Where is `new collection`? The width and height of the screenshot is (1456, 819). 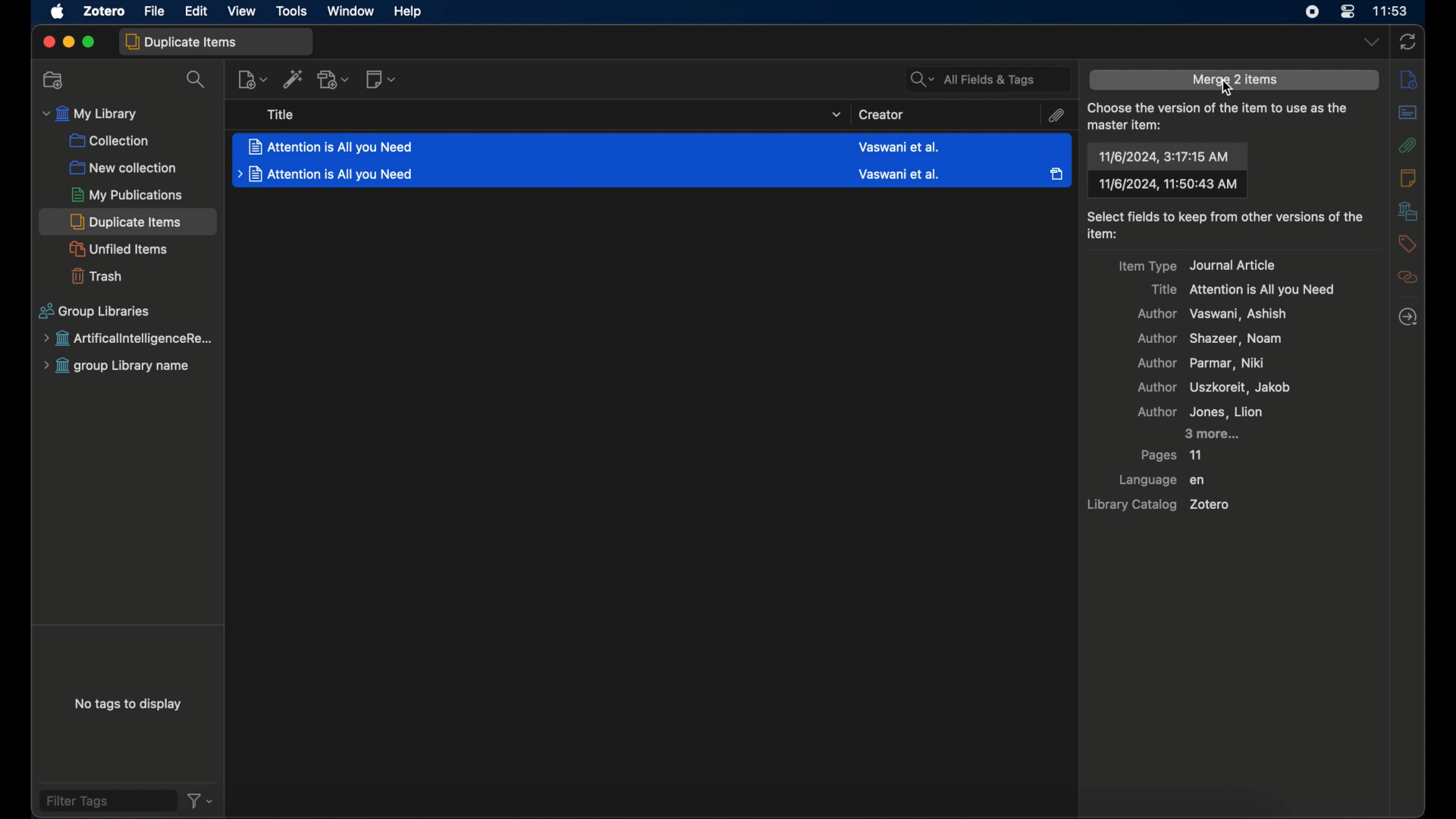 new collection is located at coordinates (54, 81).